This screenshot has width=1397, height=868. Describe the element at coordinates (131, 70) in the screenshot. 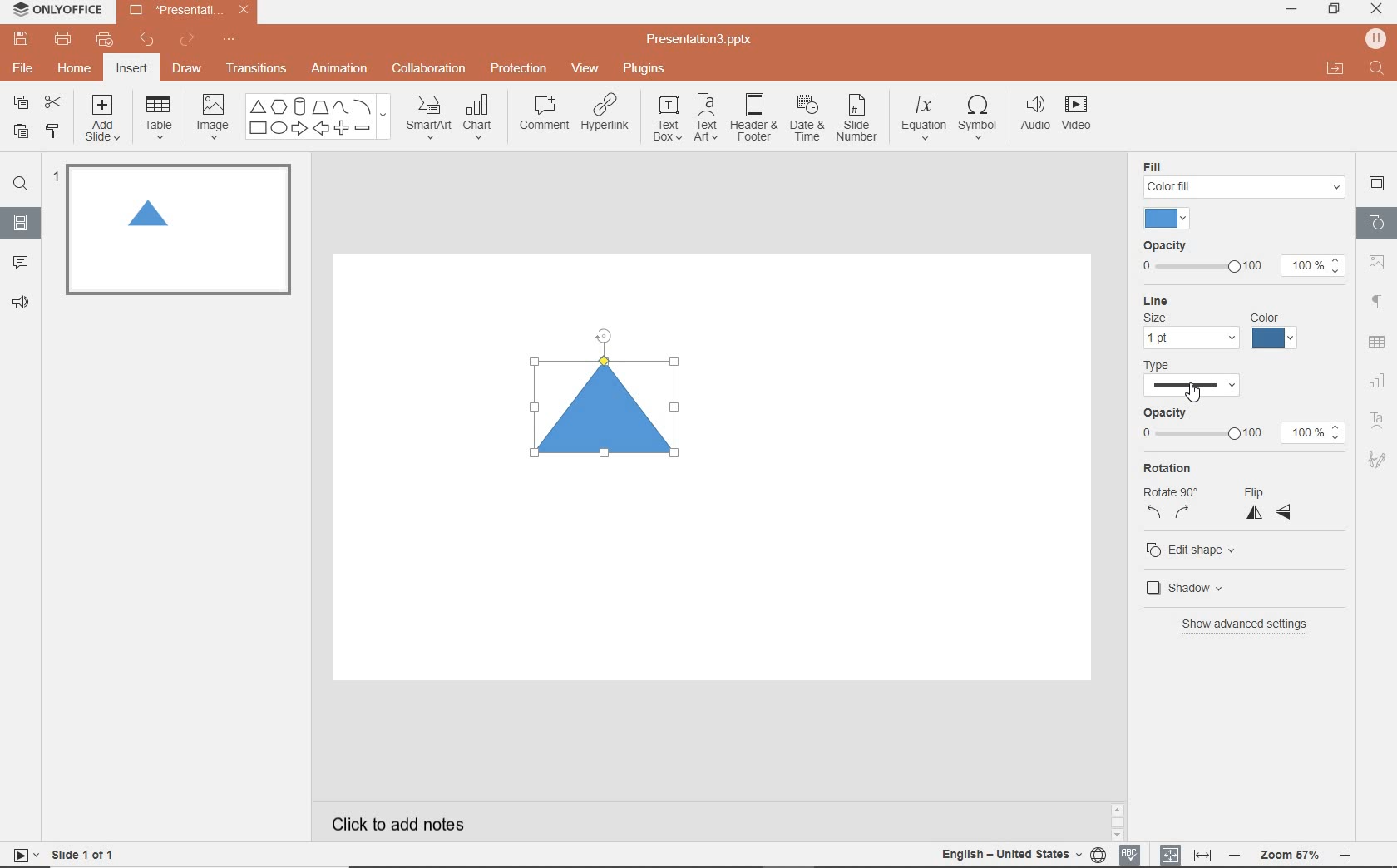

I see `INSERT` at that location.